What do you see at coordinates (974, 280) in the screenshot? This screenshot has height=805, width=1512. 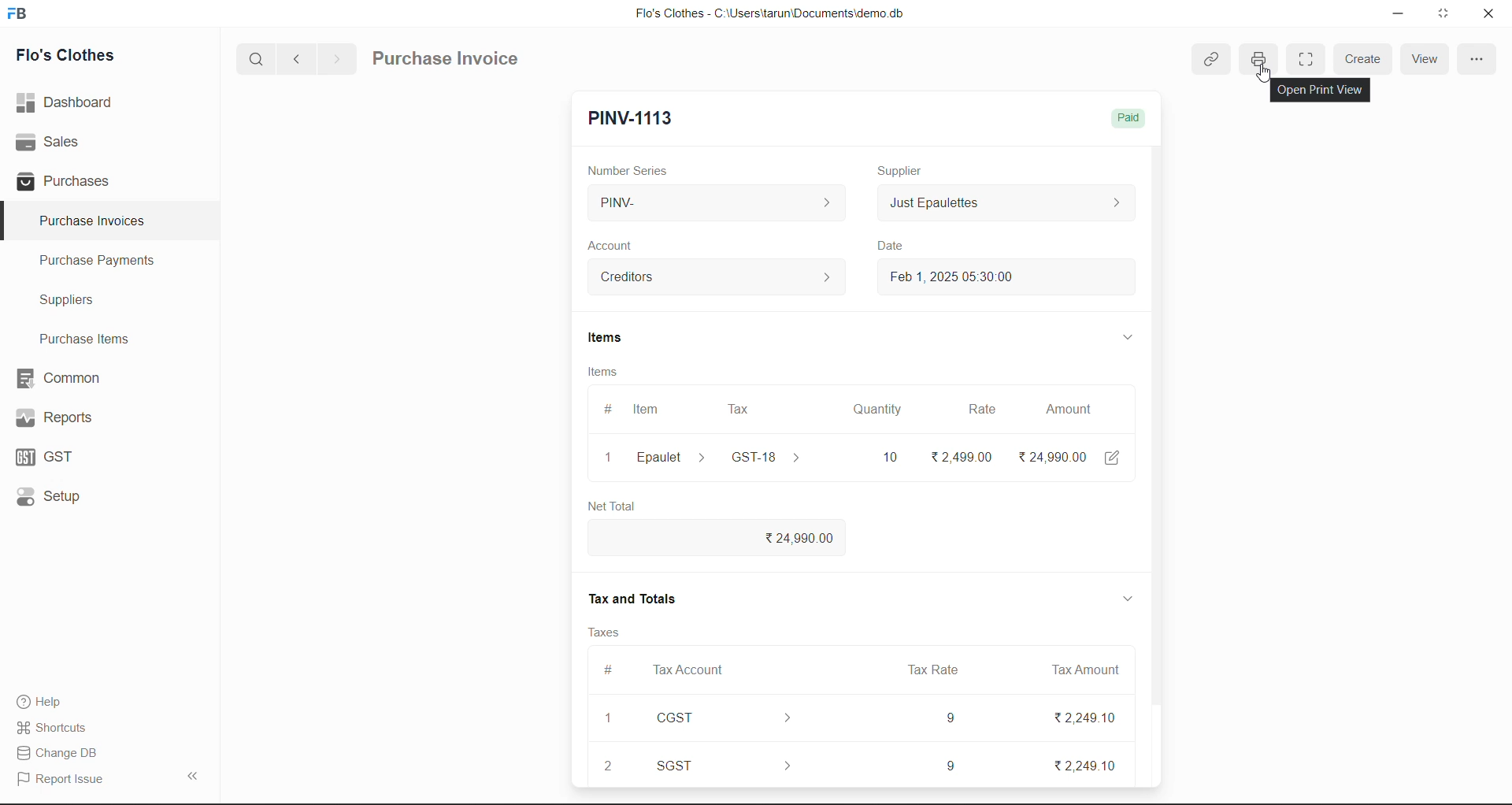 I see `Feb 1, 2025 05:30:00` at bounding box center [974, 280].